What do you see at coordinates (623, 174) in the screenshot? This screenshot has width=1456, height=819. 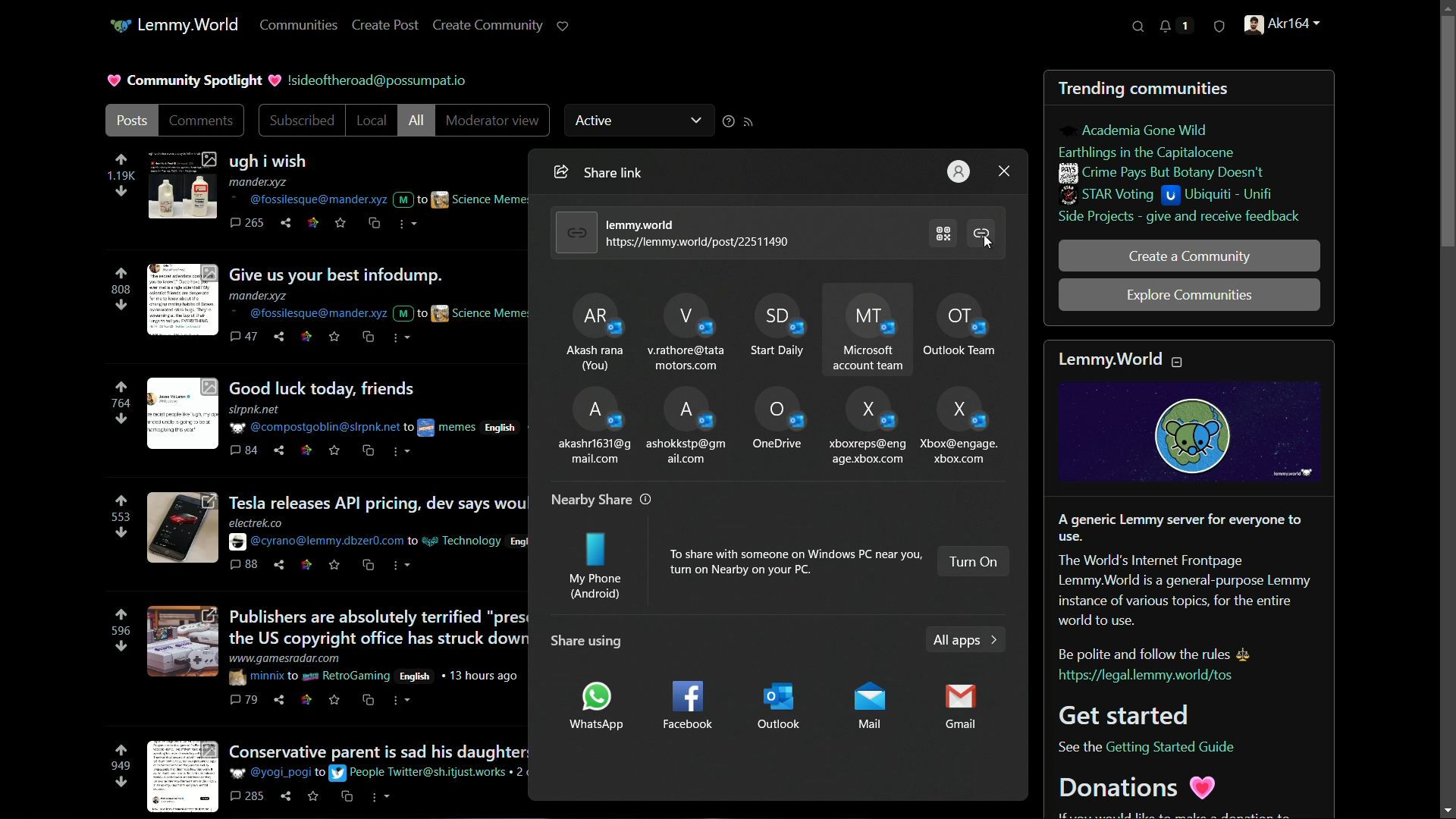 I see `Share link` at bounding box center [623, 174].